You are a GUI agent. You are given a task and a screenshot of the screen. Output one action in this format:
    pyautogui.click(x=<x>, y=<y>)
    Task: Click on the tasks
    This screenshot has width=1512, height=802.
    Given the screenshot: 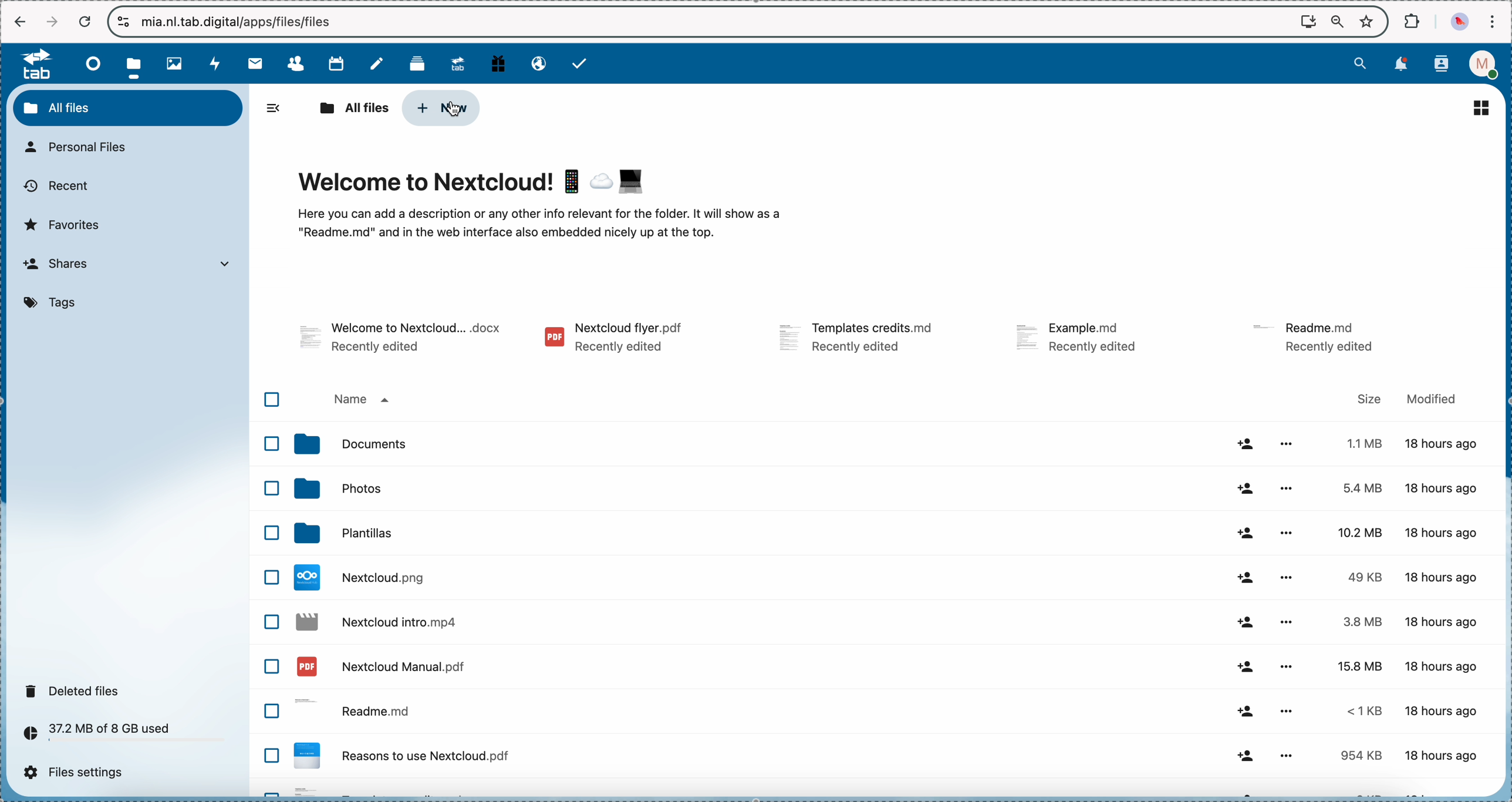 What is the action you would take?
    pyautogui.click(x=581, y=63)
    